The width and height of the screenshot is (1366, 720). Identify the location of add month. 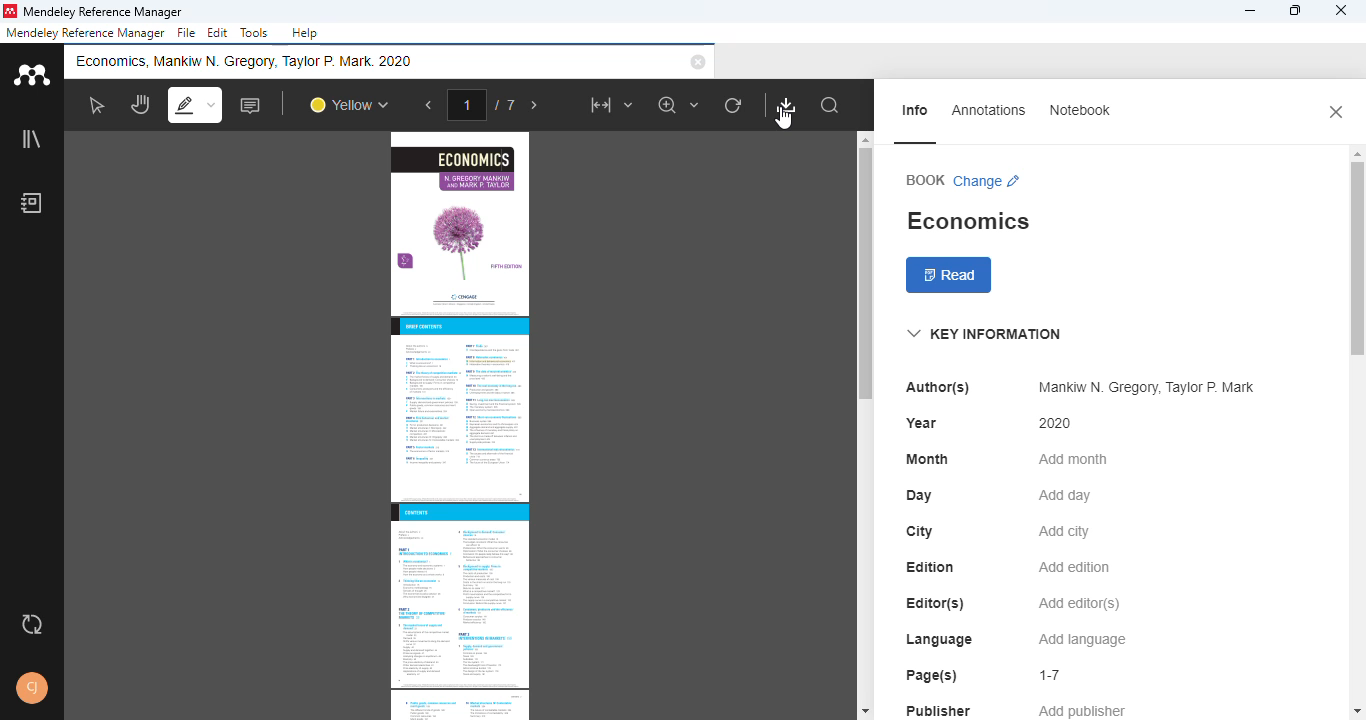
(1071, 459).